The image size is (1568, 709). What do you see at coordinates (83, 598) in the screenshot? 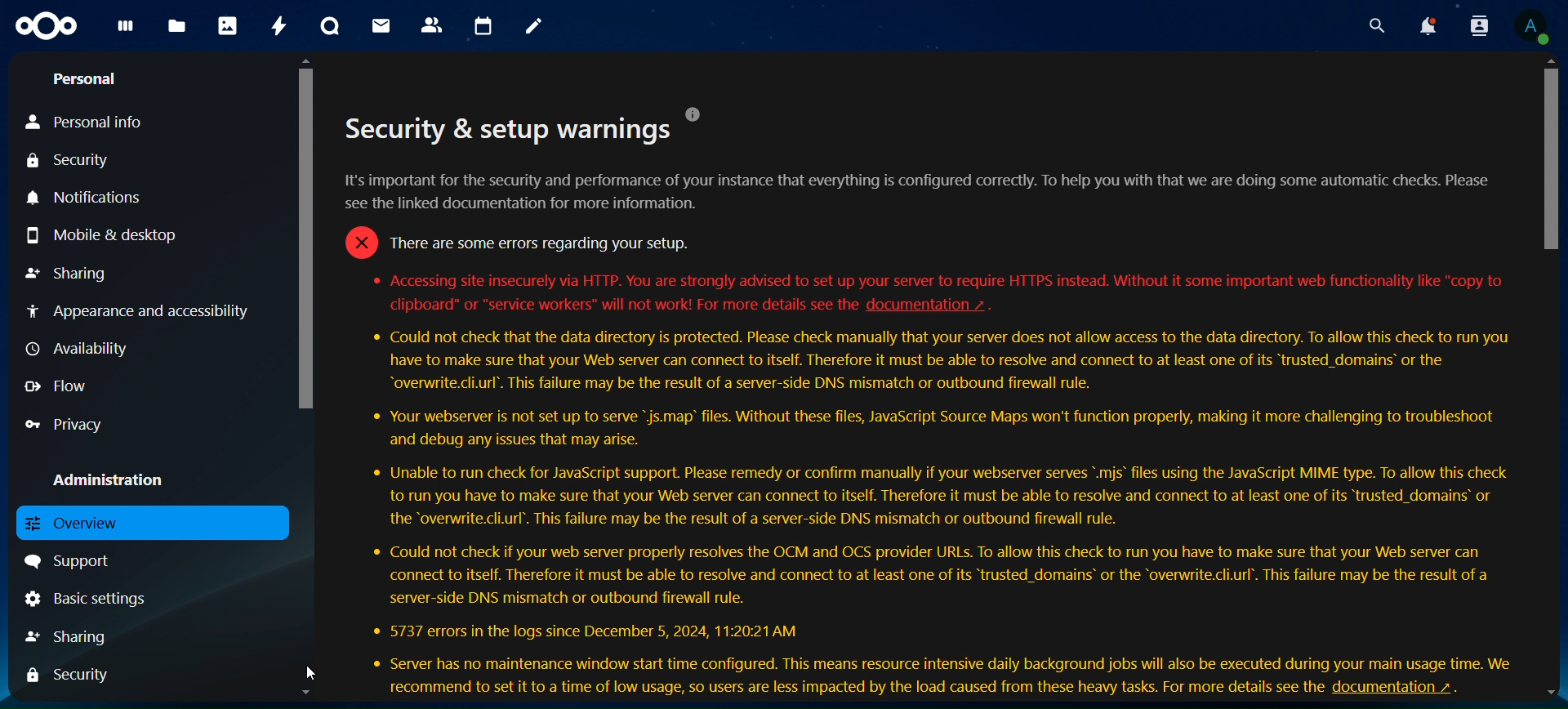
I see `basic settings` at bounding box center [83, 598].